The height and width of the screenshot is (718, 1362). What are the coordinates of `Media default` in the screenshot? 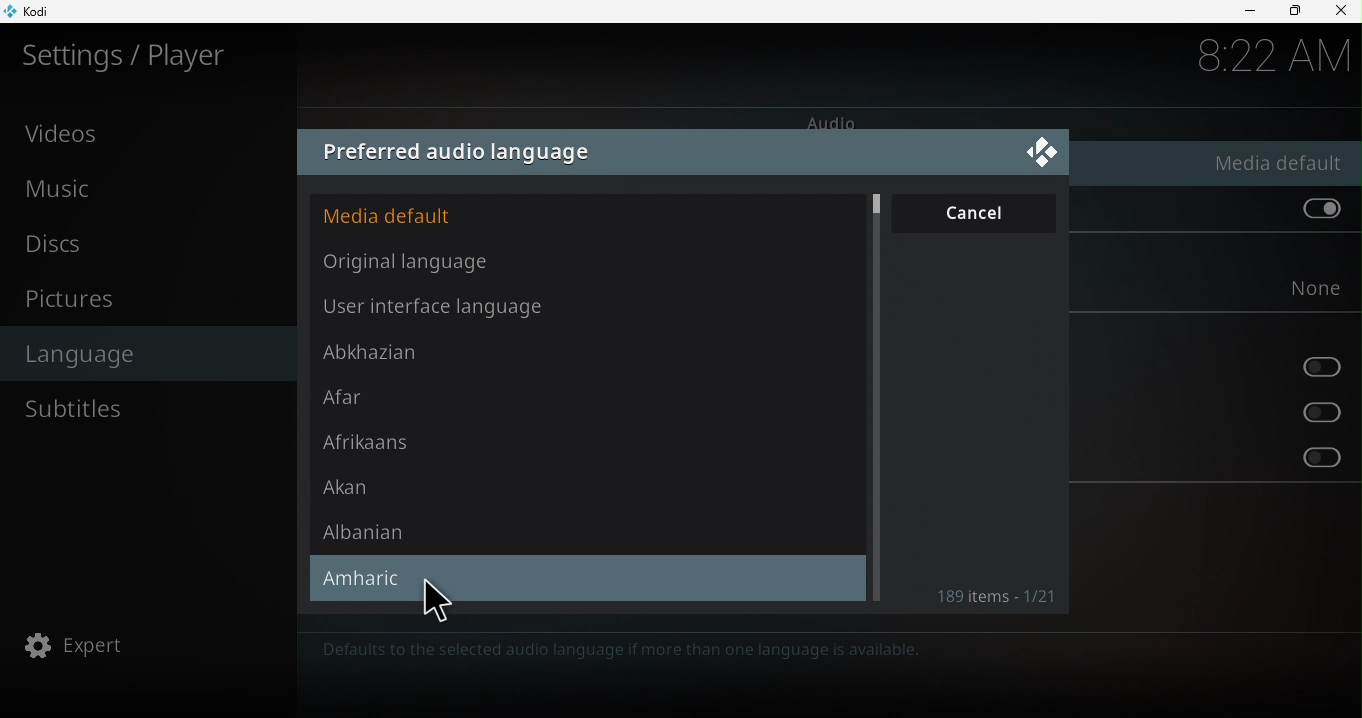 It's located at (570, 216).